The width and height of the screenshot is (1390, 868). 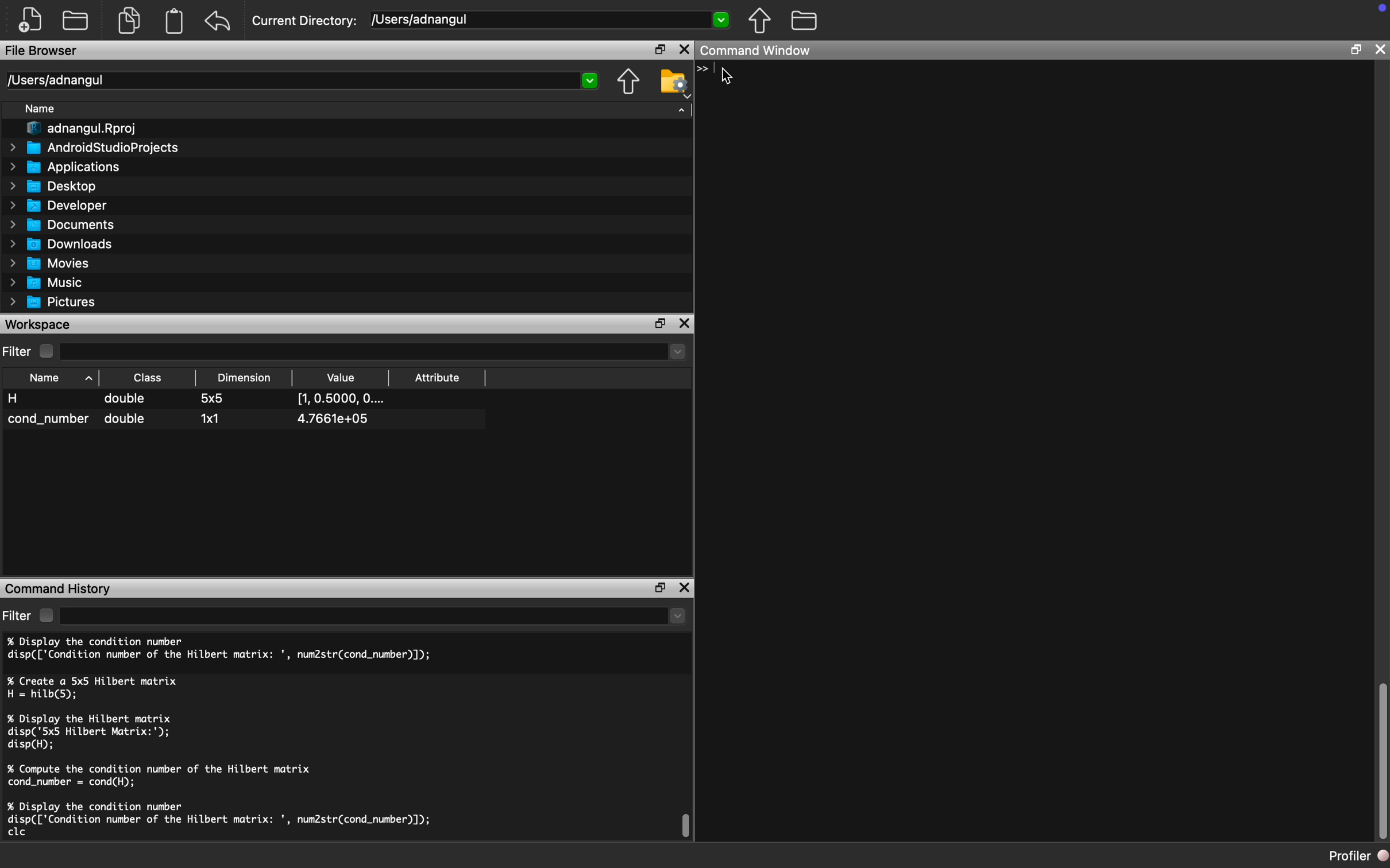 What do you see at coordinates (629, 81) in the screenshot?
I see `Parent Directory` at bounding box center [629, 81].